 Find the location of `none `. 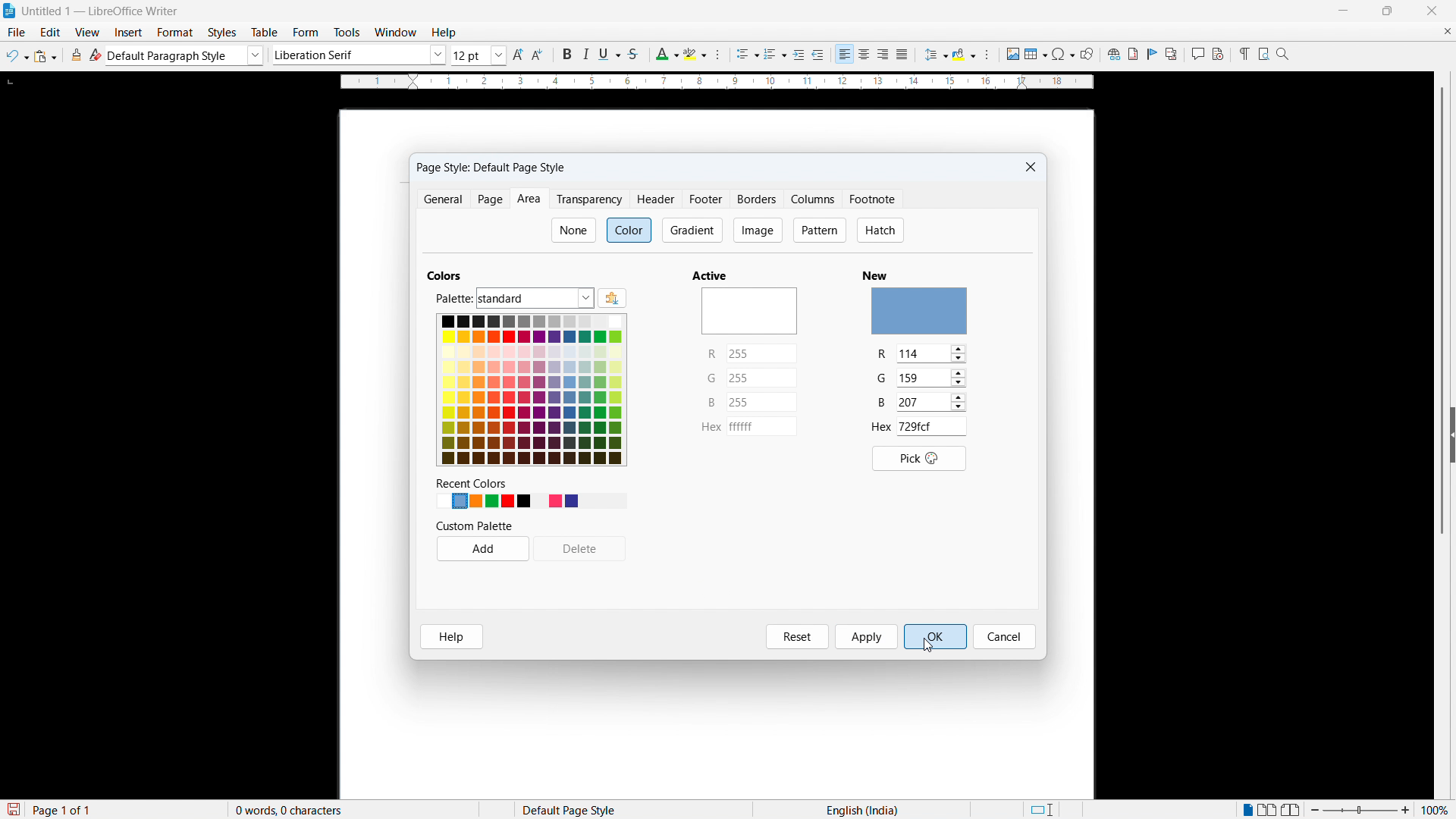

none  is located at coordinates (576, 231).